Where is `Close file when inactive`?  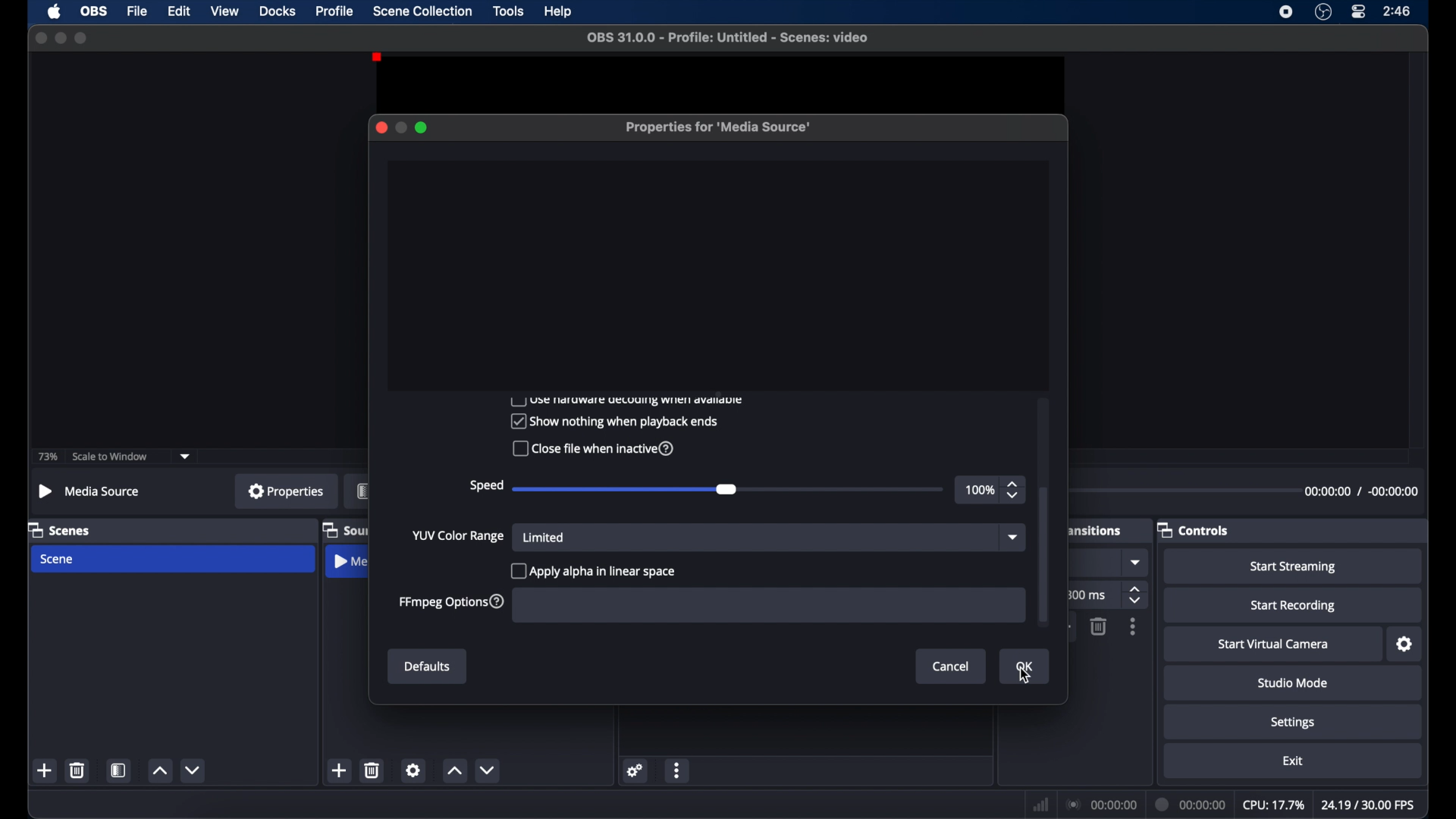 Close file when inactive is located at coordinates (591, 448).